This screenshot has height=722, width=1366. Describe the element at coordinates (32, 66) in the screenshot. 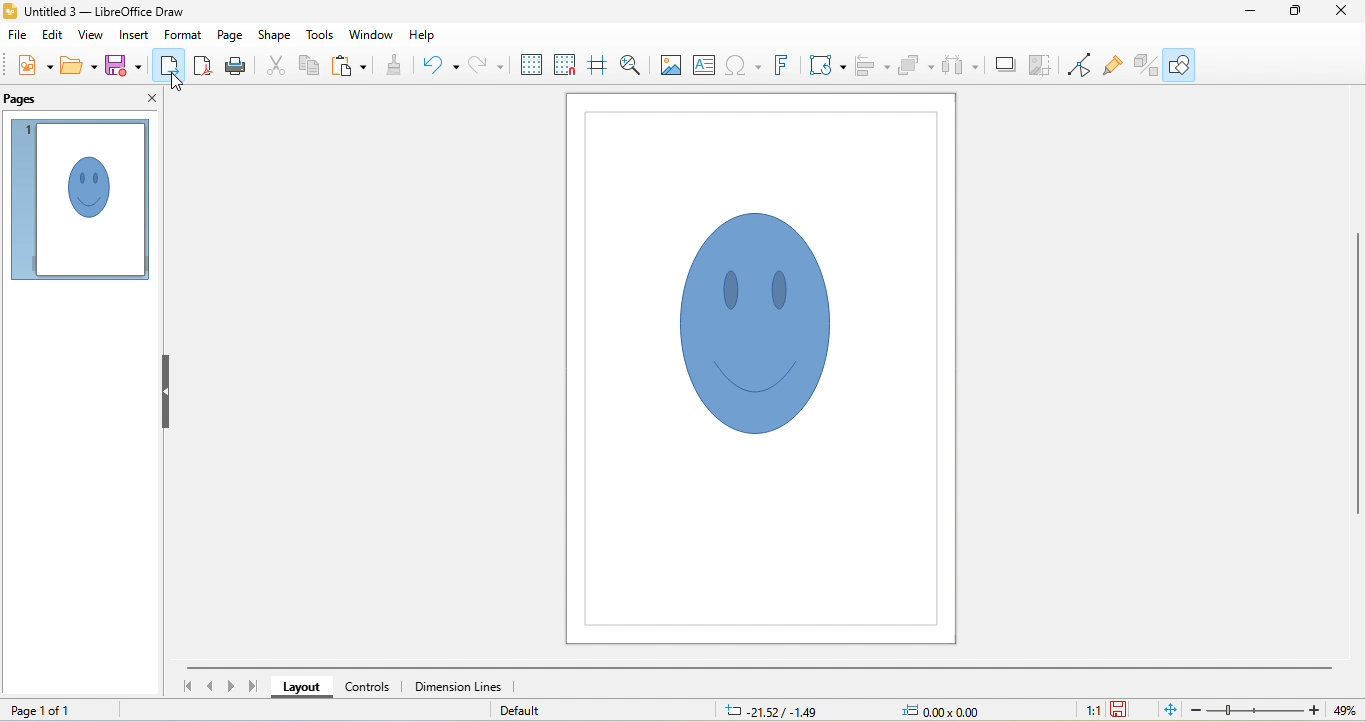

I see `new` at that location.